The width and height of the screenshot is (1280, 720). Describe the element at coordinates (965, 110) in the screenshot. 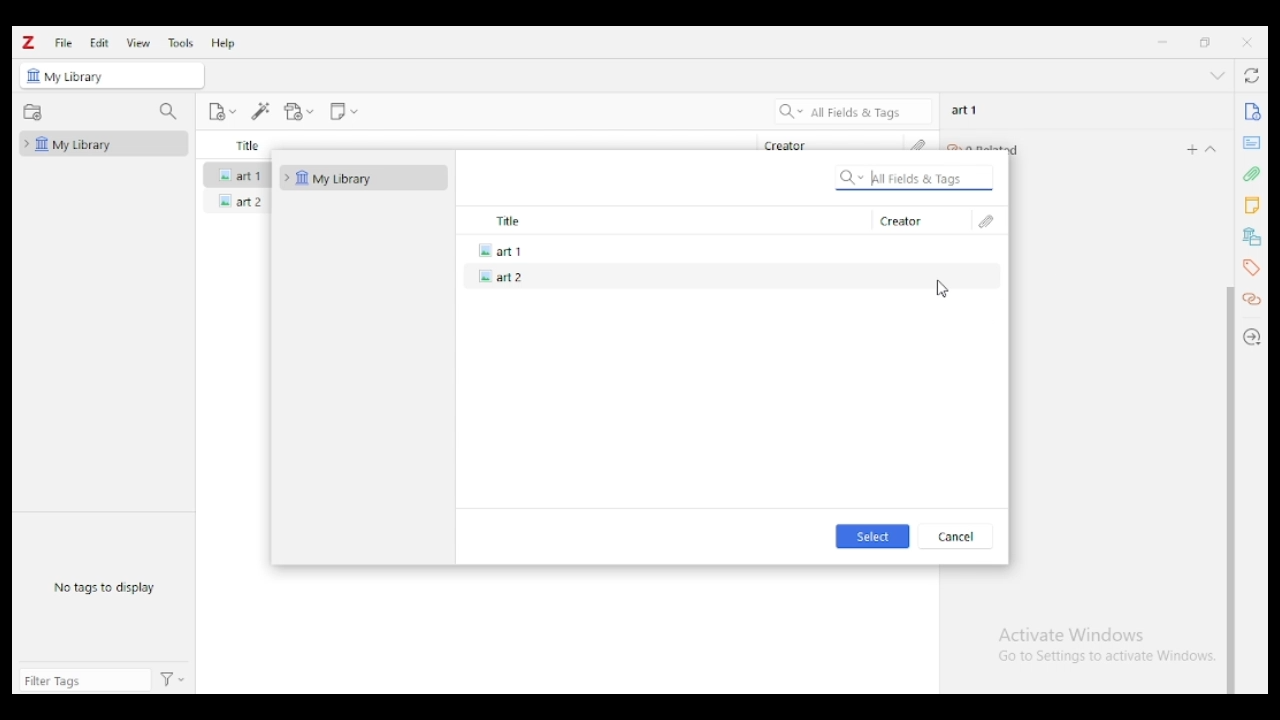

I see `art 1` at that location.